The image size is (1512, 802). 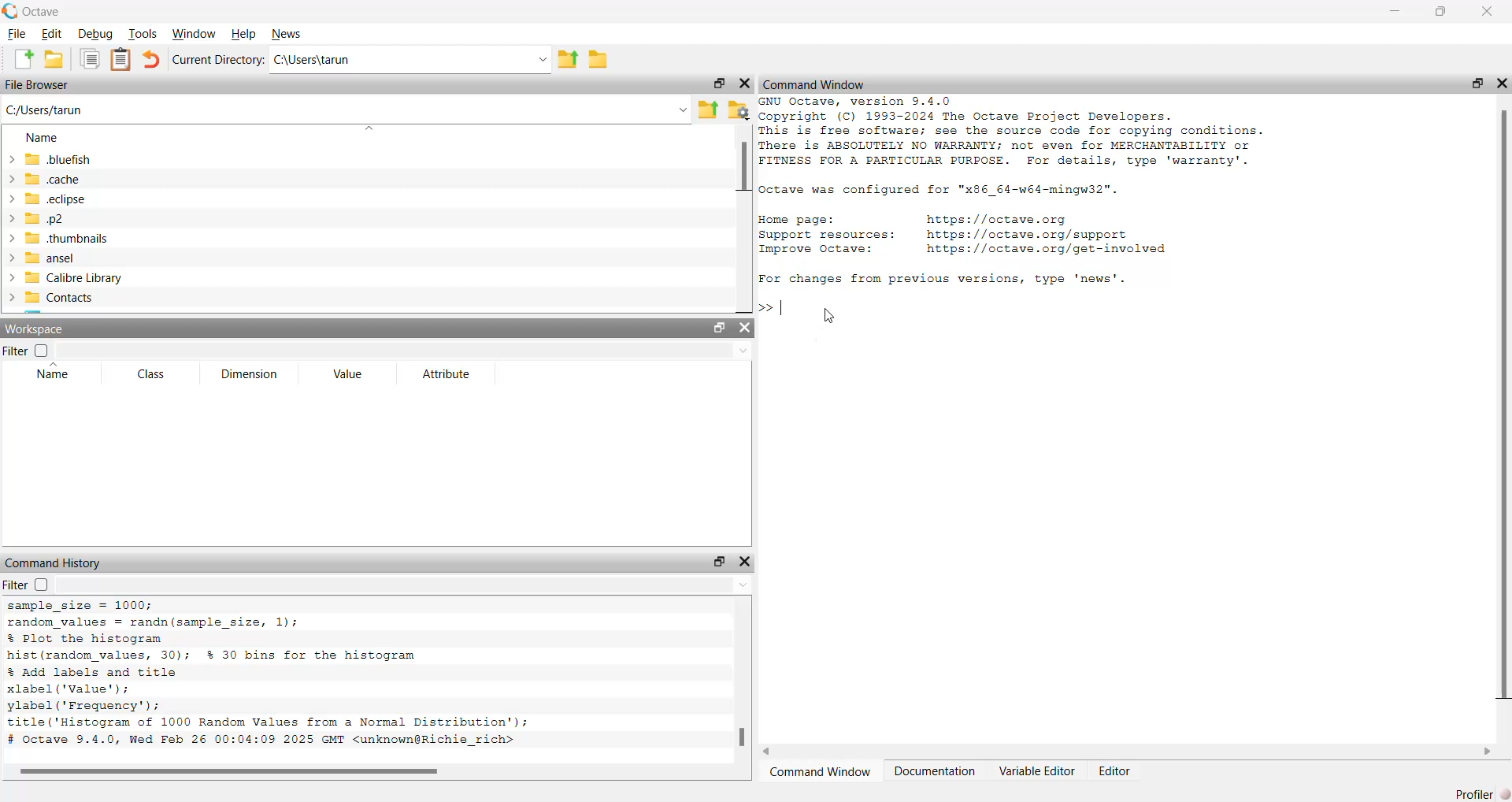 I want to click on .thumbnails, so click(x=57, y=239).